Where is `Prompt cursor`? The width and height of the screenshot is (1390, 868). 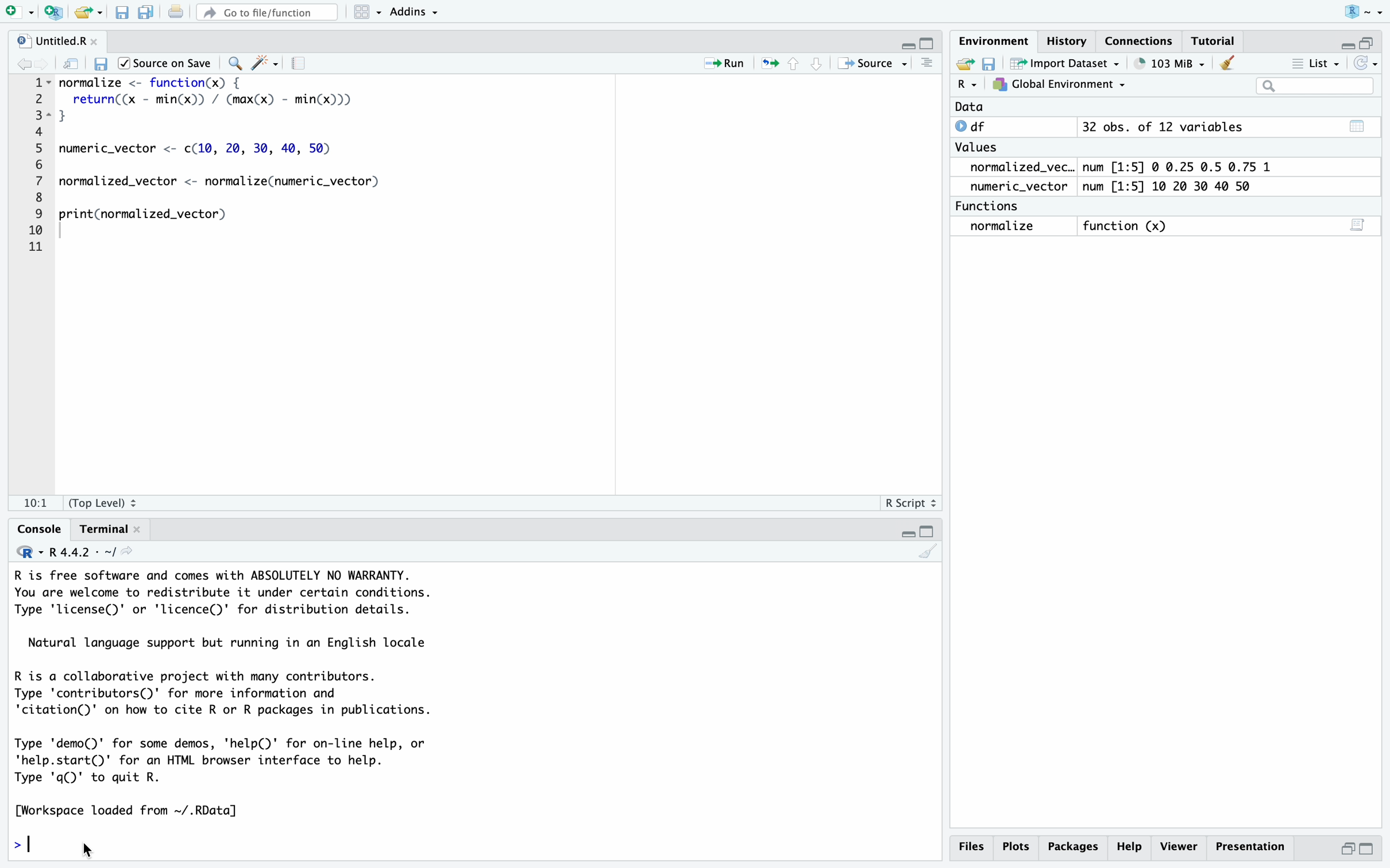 Prompt cursor is located at coordinates (26, 840).